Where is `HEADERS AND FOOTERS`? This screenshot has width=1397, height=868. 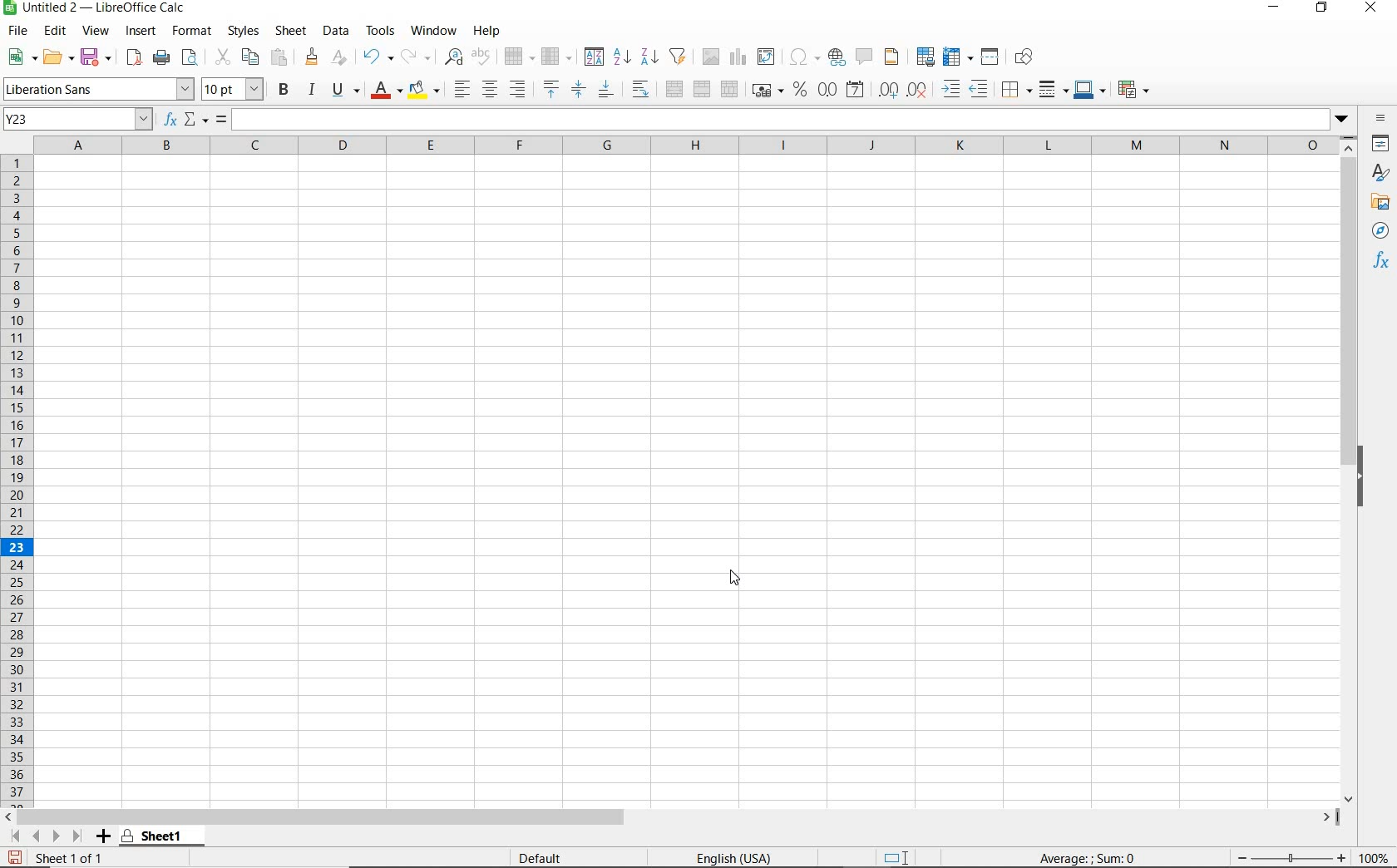 HEADERS AND FOOTERS is located at coordinates (888, 58).